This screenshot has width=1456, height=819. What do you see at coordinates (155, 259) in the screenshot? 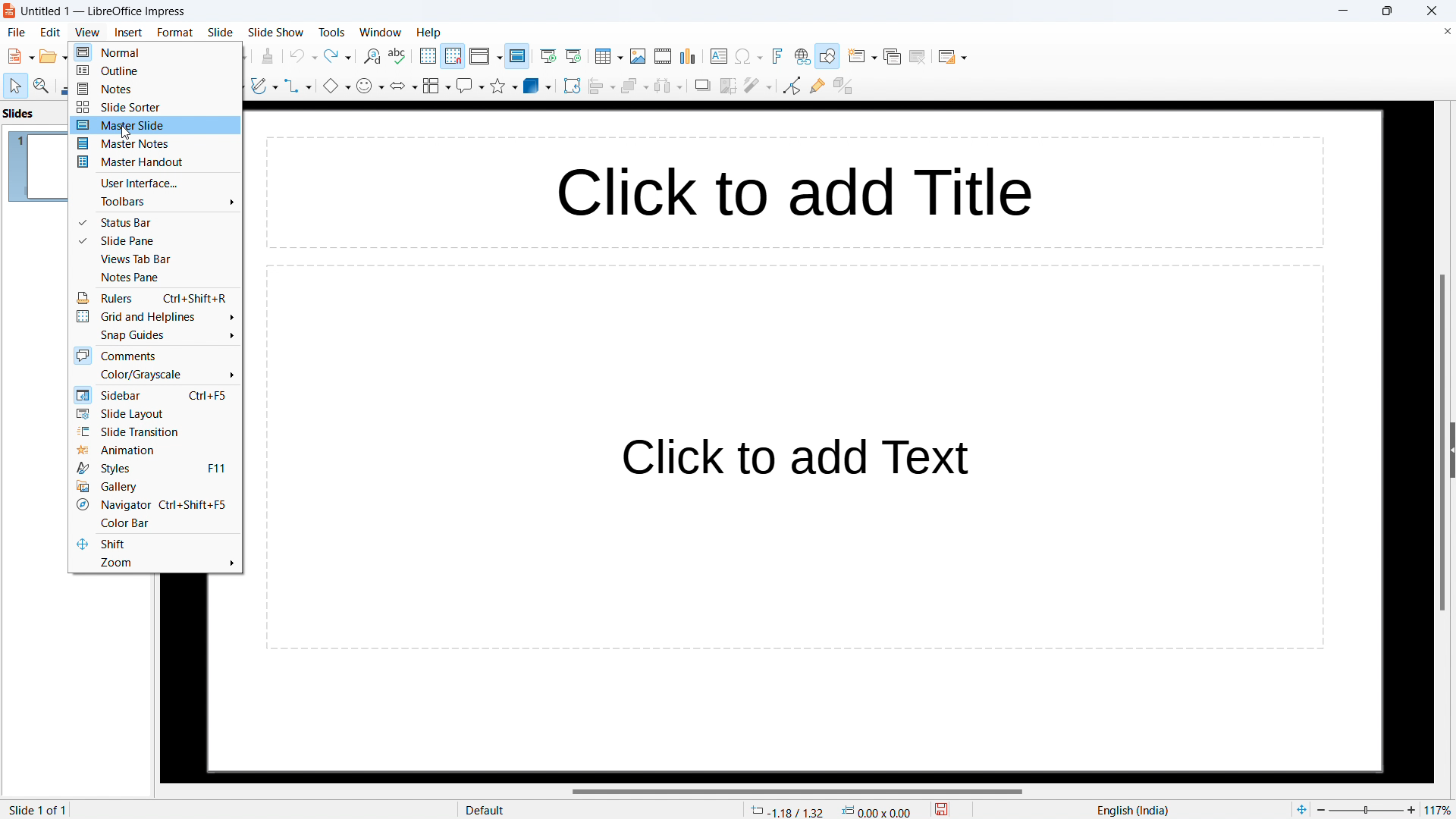
I see `views tab bar` at bounding box center [155, 259].